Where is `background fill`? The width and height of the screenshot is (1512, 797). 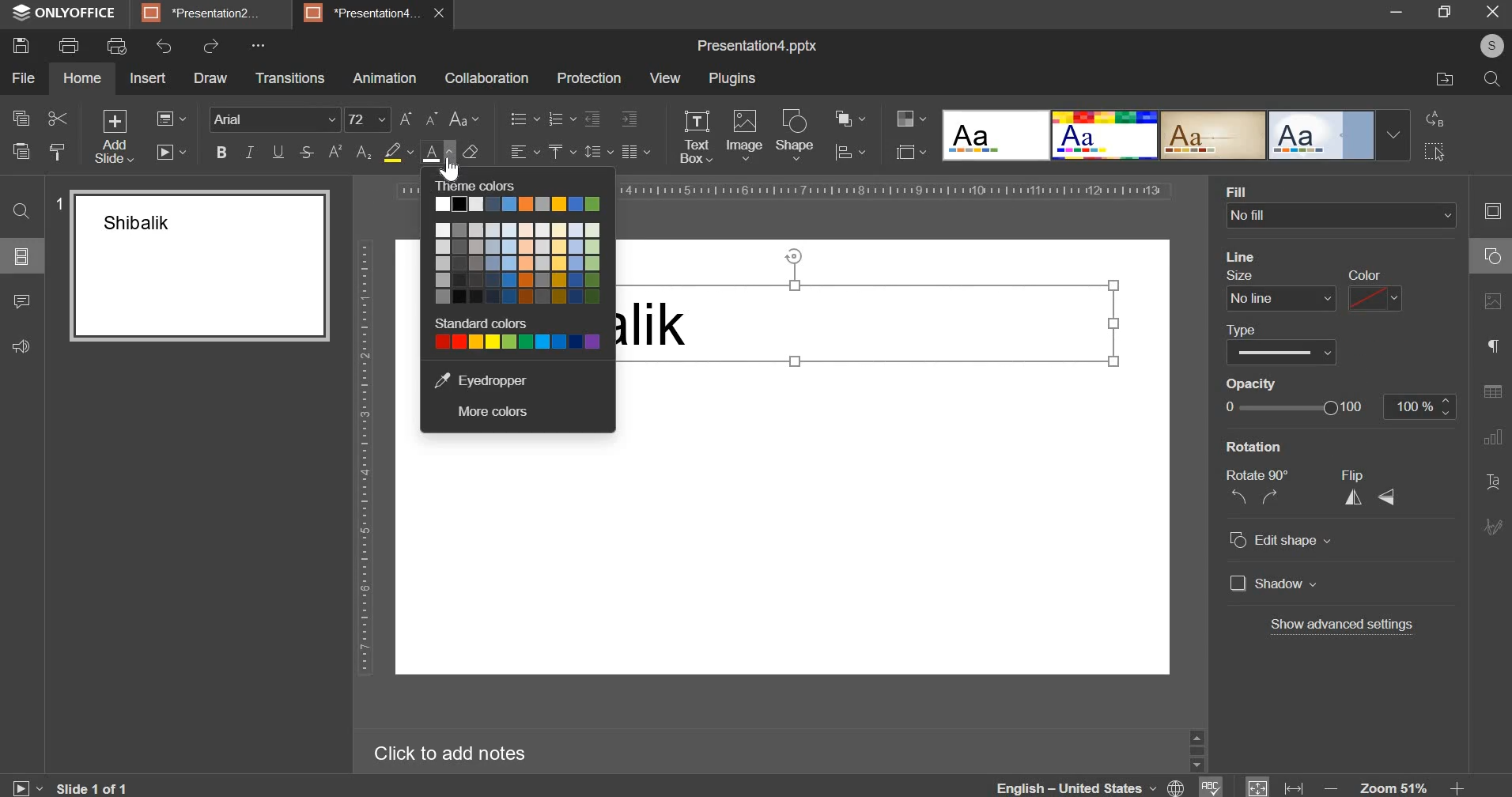 background fill is located at coordinates (1343, 206).